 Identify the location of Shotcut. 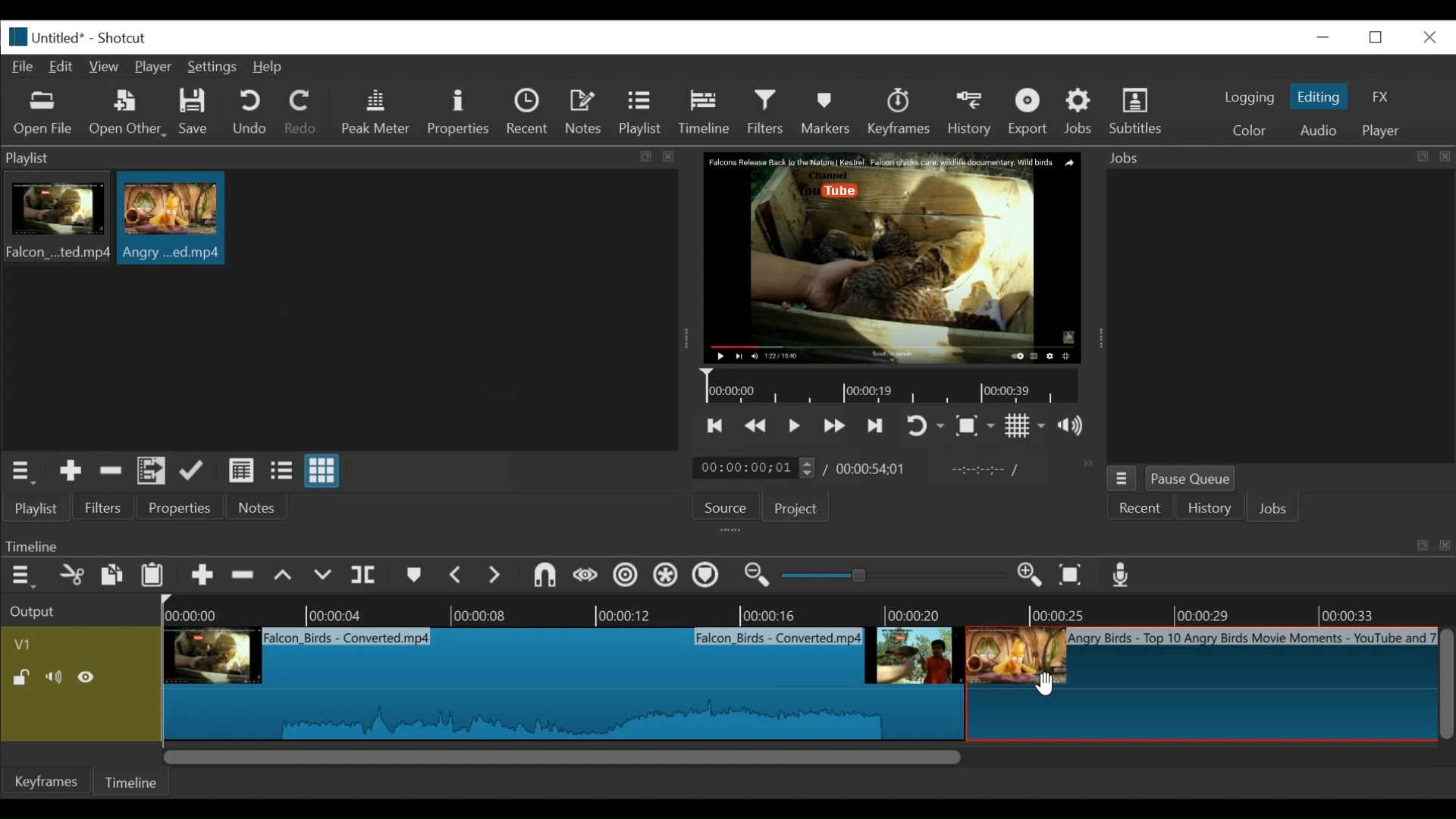
(121, 39).